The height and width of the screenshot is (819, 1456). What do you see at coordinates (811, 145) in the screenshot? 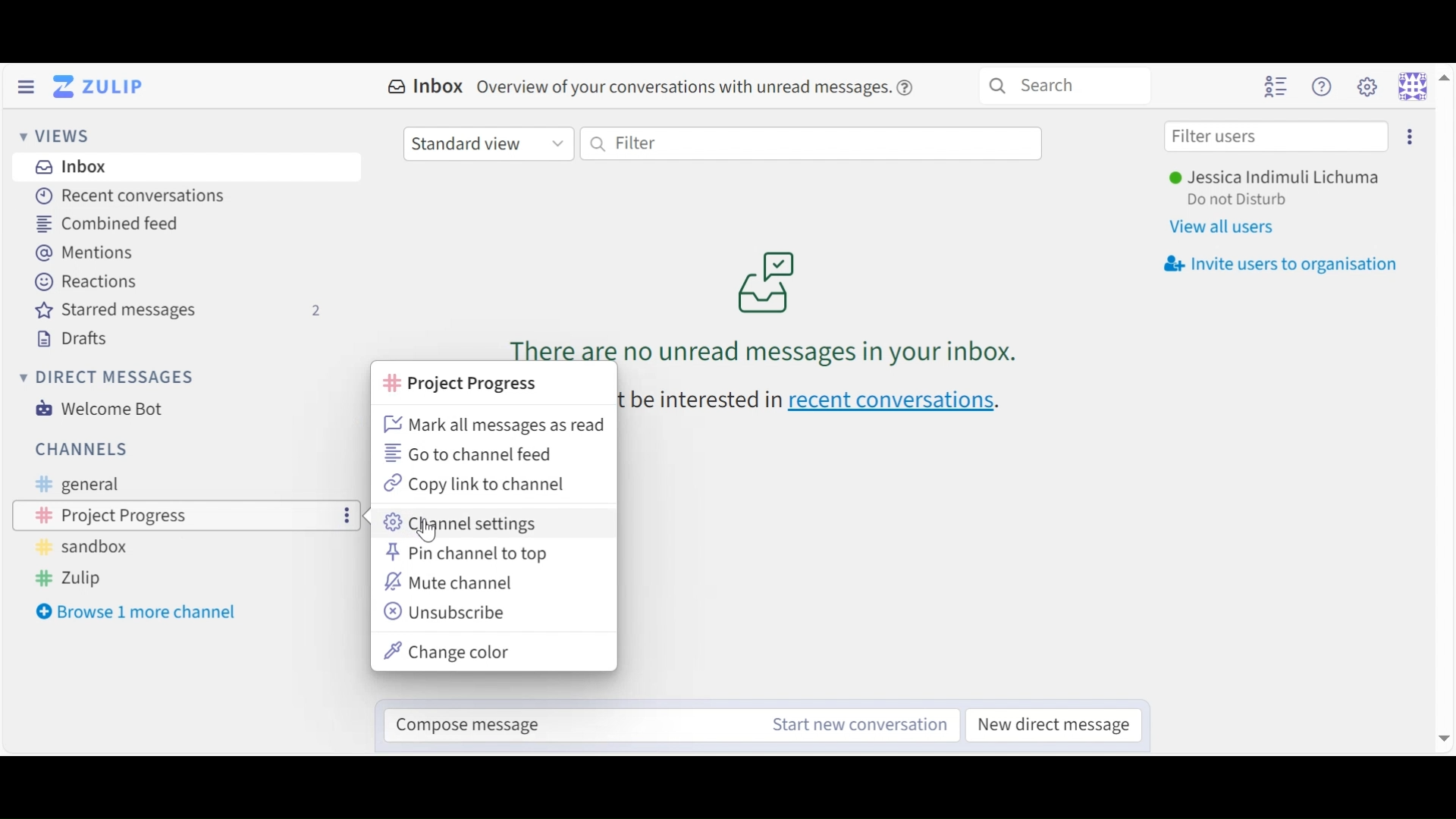
I see `Filter by text` at bounding box center [811, 145].